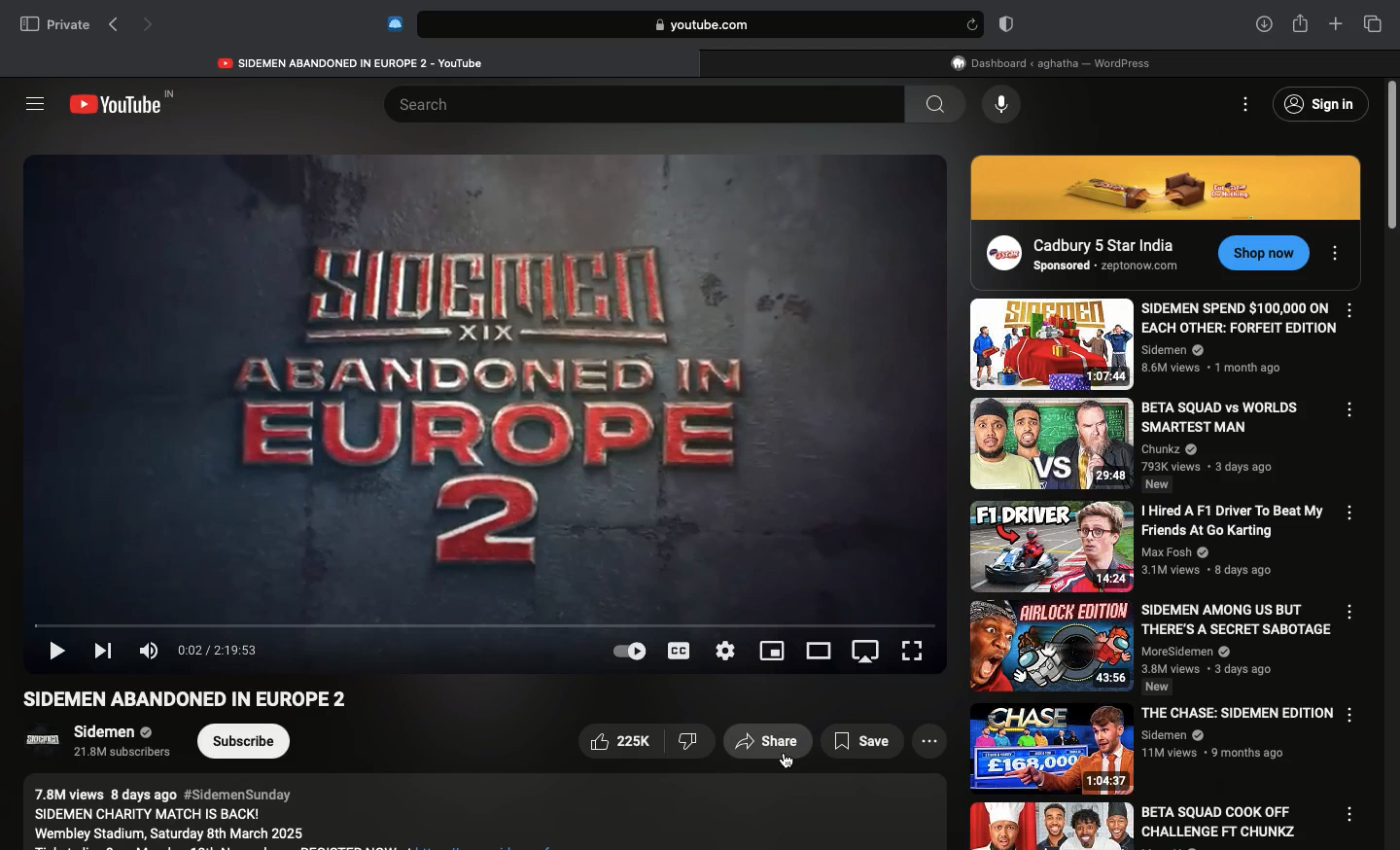 This screenshot has width=1400, height=850. Describe the element at coordinates (1319, 105) in the screenshot. I see `Sign in` at that location.